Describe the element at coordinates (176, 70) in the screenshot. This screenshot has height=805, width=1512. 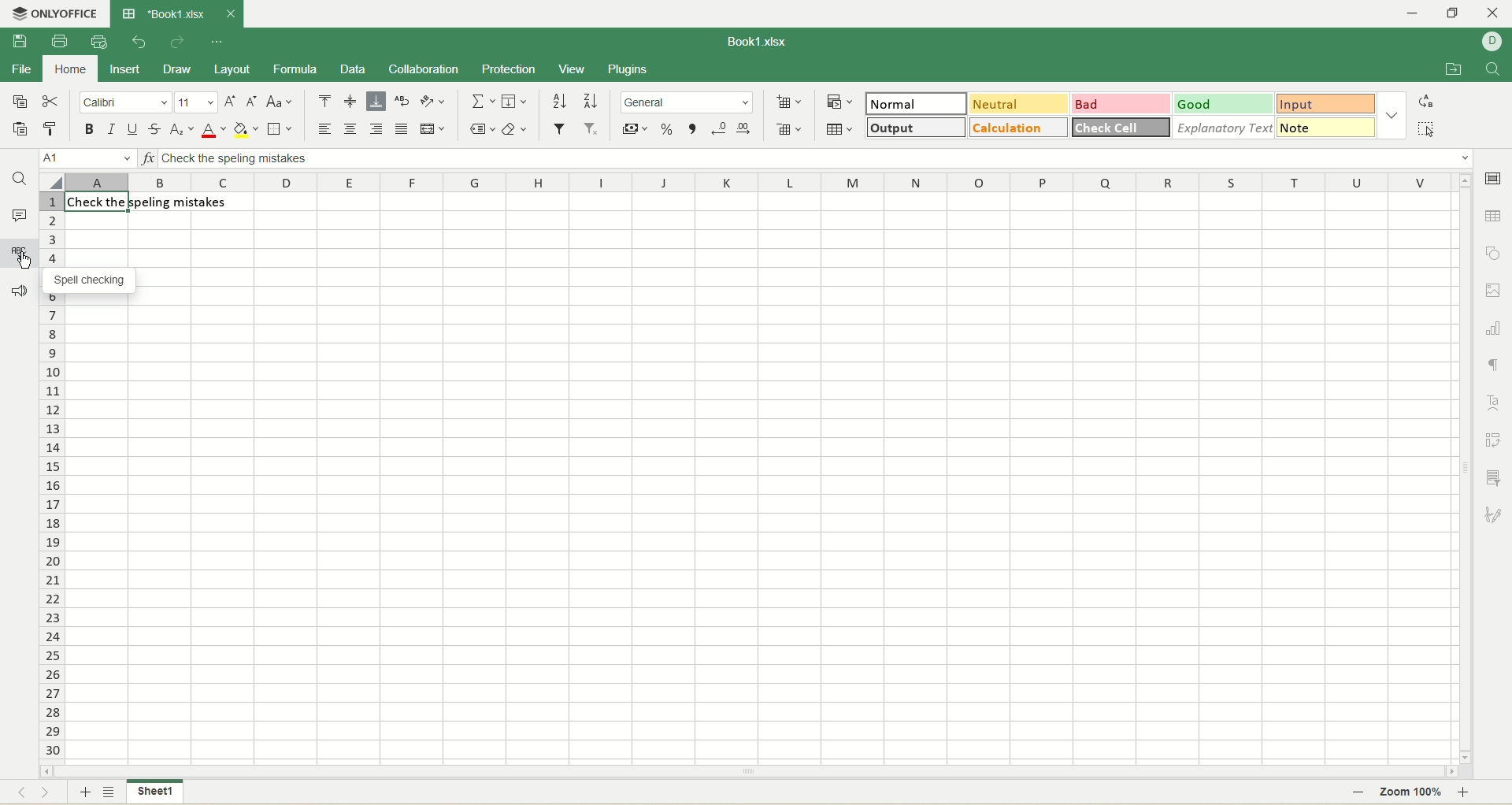
I see `draw` at that location.